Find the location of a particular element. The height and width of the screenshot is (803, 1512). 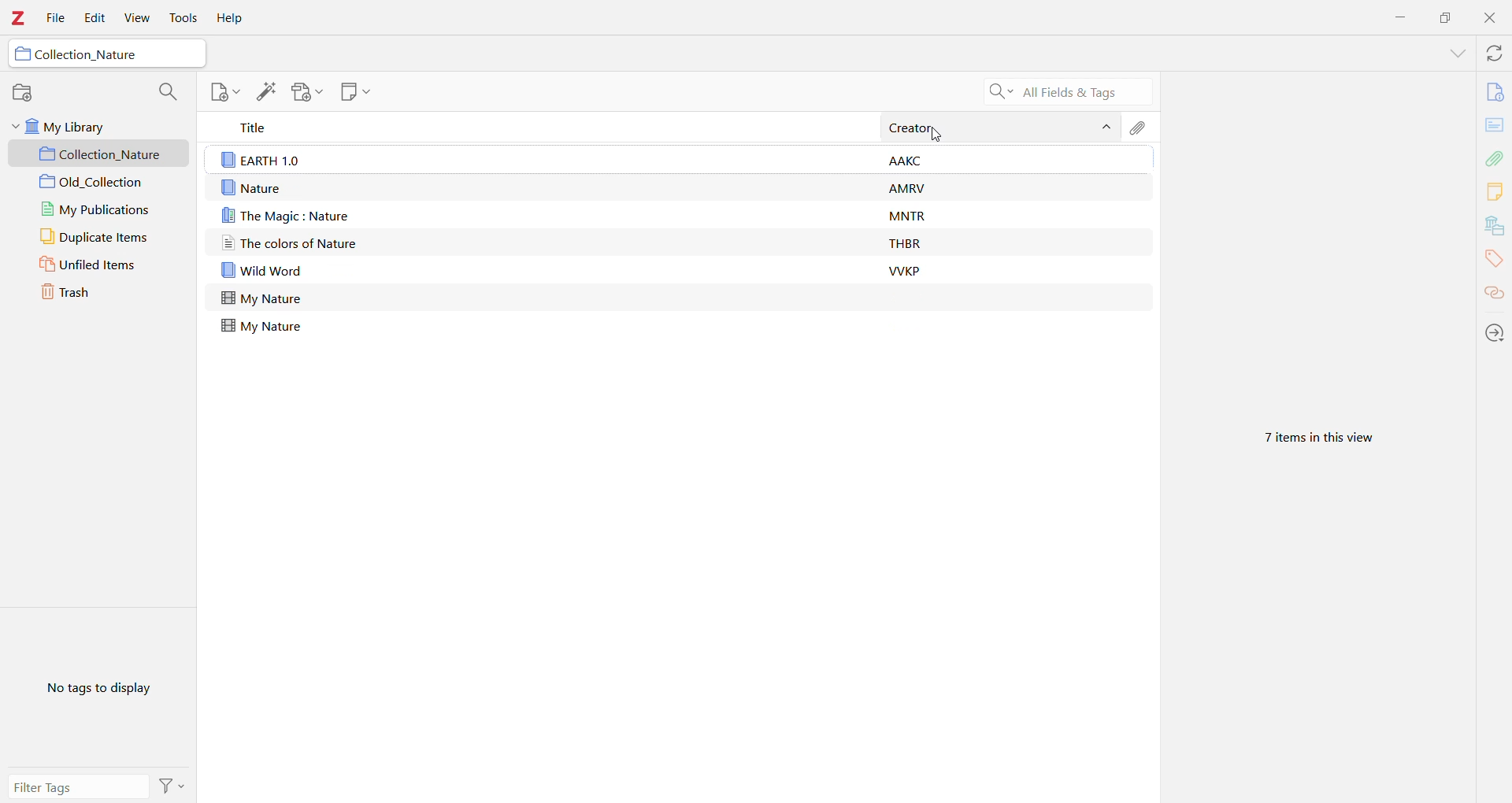

Info is located at coordinates (1494, 91).